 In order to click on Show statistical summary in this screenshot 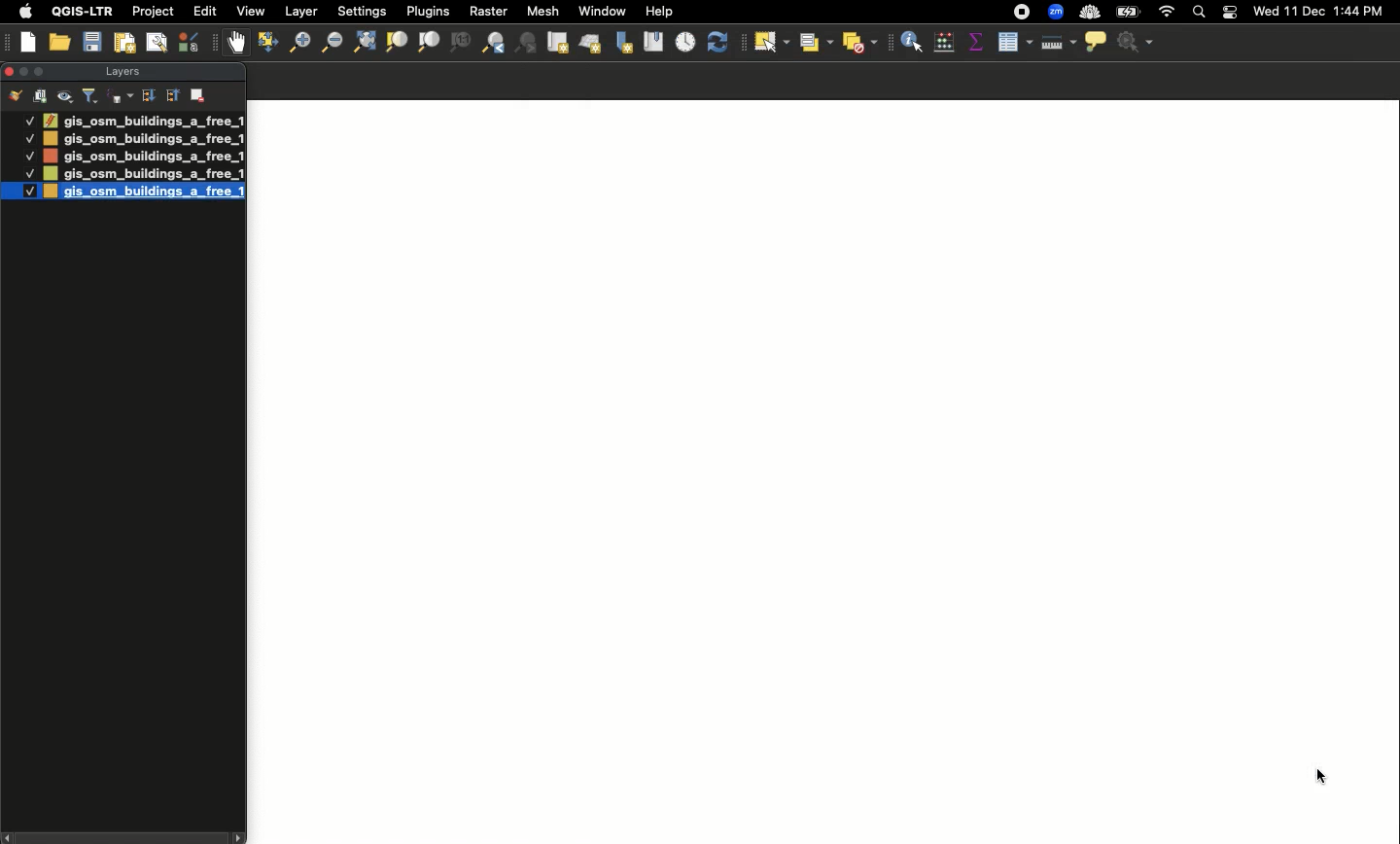, I will do `click(975, 43)`.